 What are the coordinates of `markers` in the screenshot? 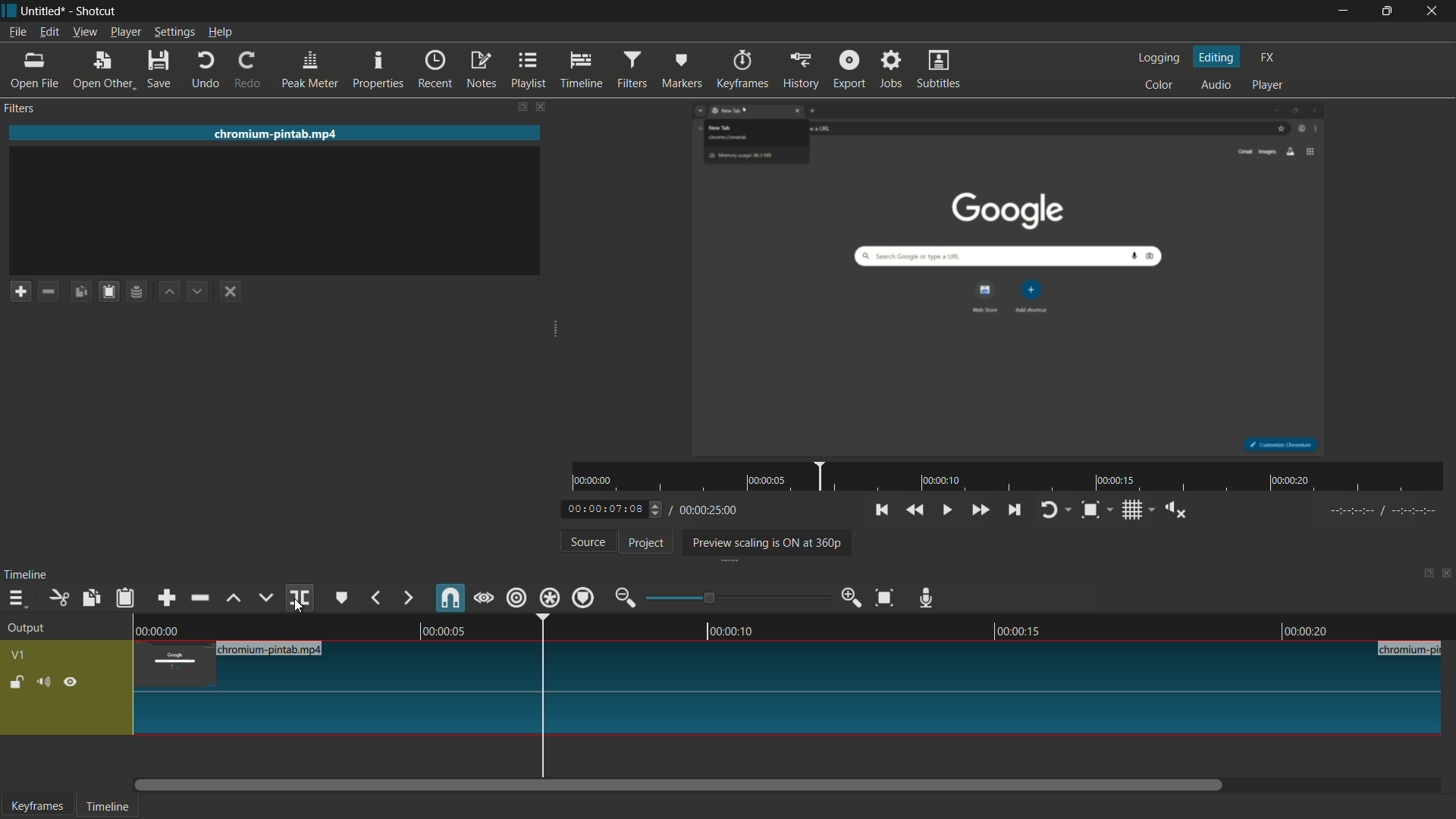 It's located at (680, 71).